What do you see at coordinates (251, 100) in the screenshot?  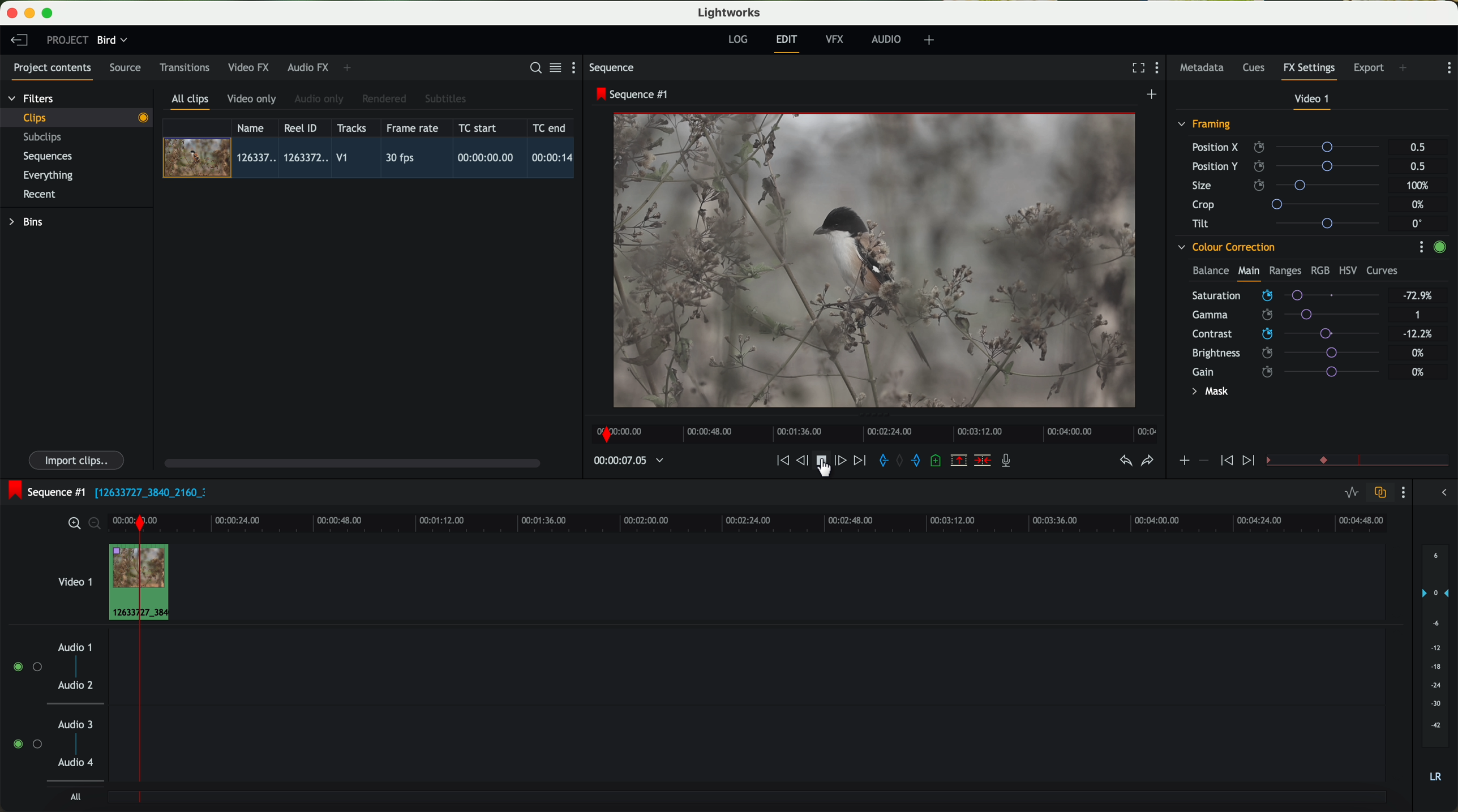 I see `video only` at bounding box center [251, 100].